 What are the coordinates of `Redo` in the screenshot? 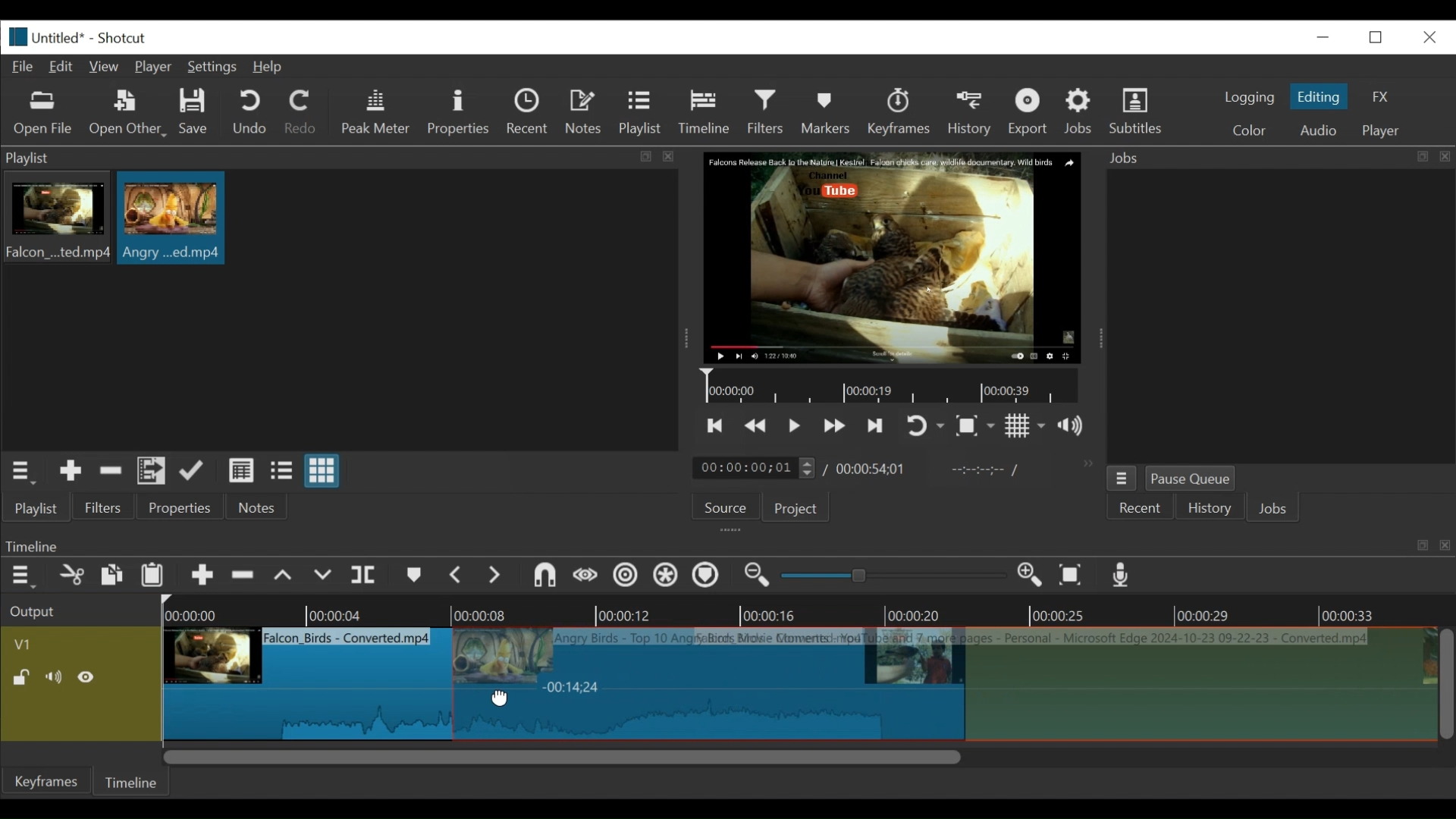 It's located at (301, 115).